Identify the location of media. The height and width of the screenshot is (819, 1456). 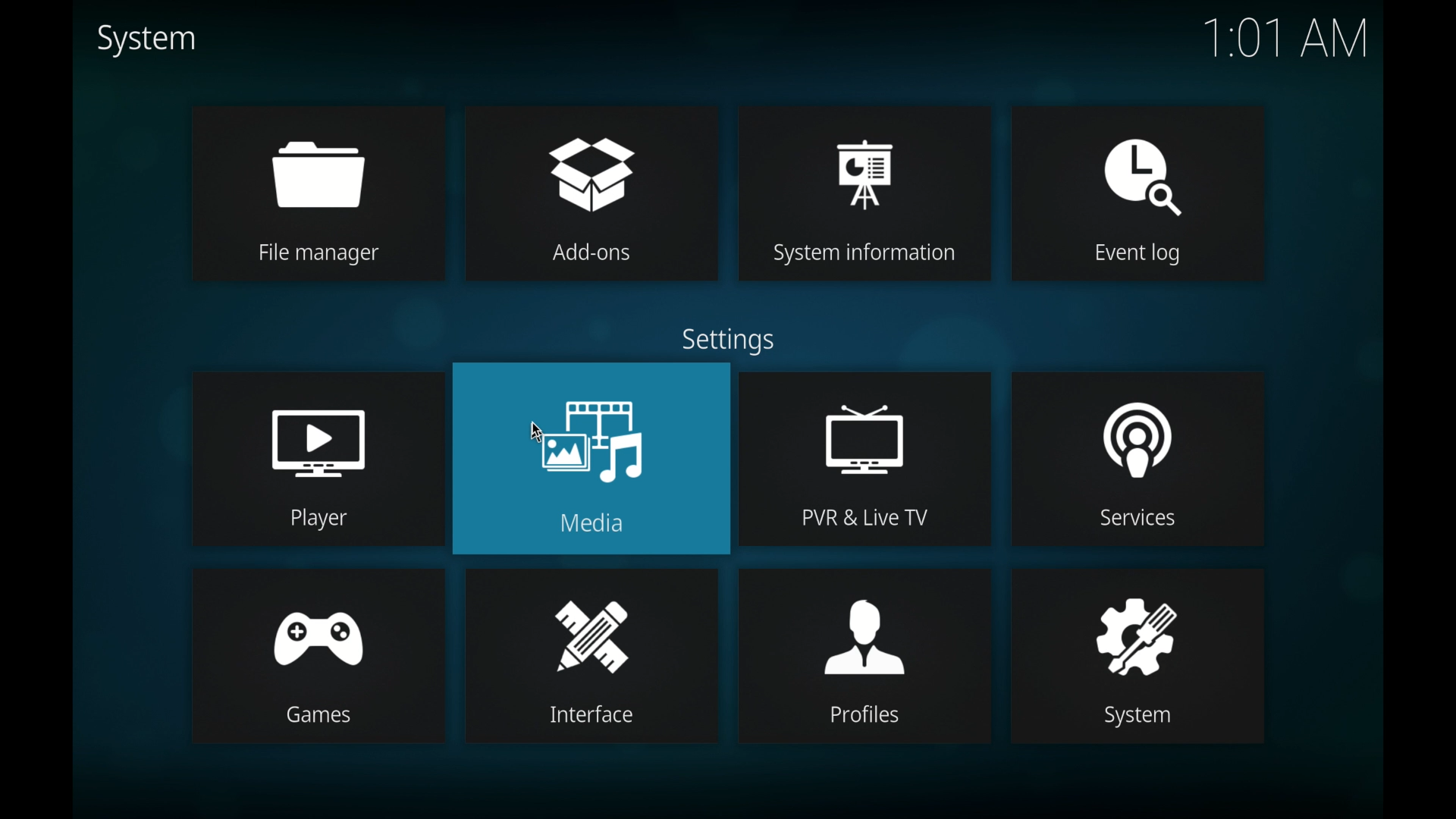
(590, 424).